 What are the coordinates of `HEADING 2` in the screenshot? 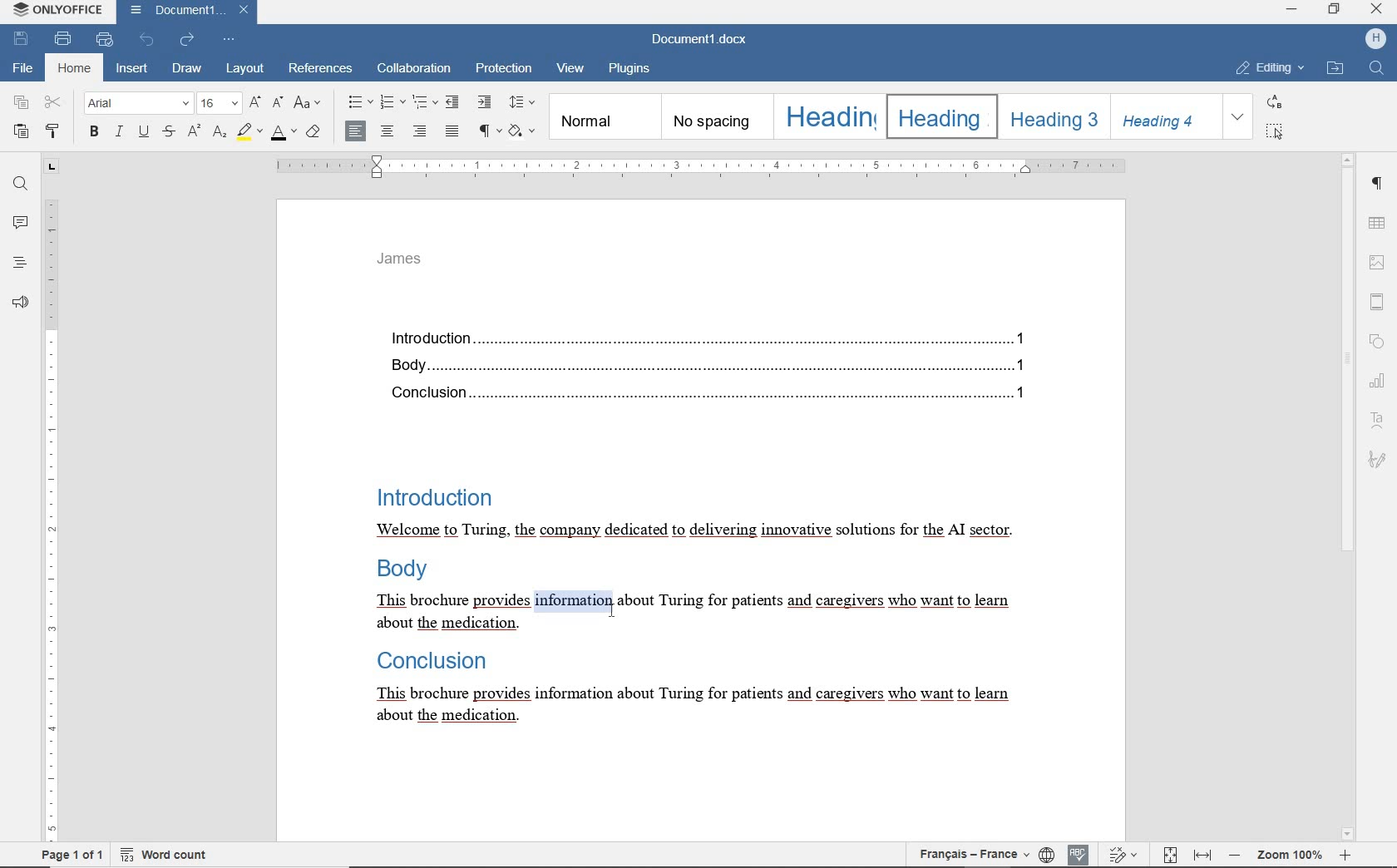 It's located at (940, 116).